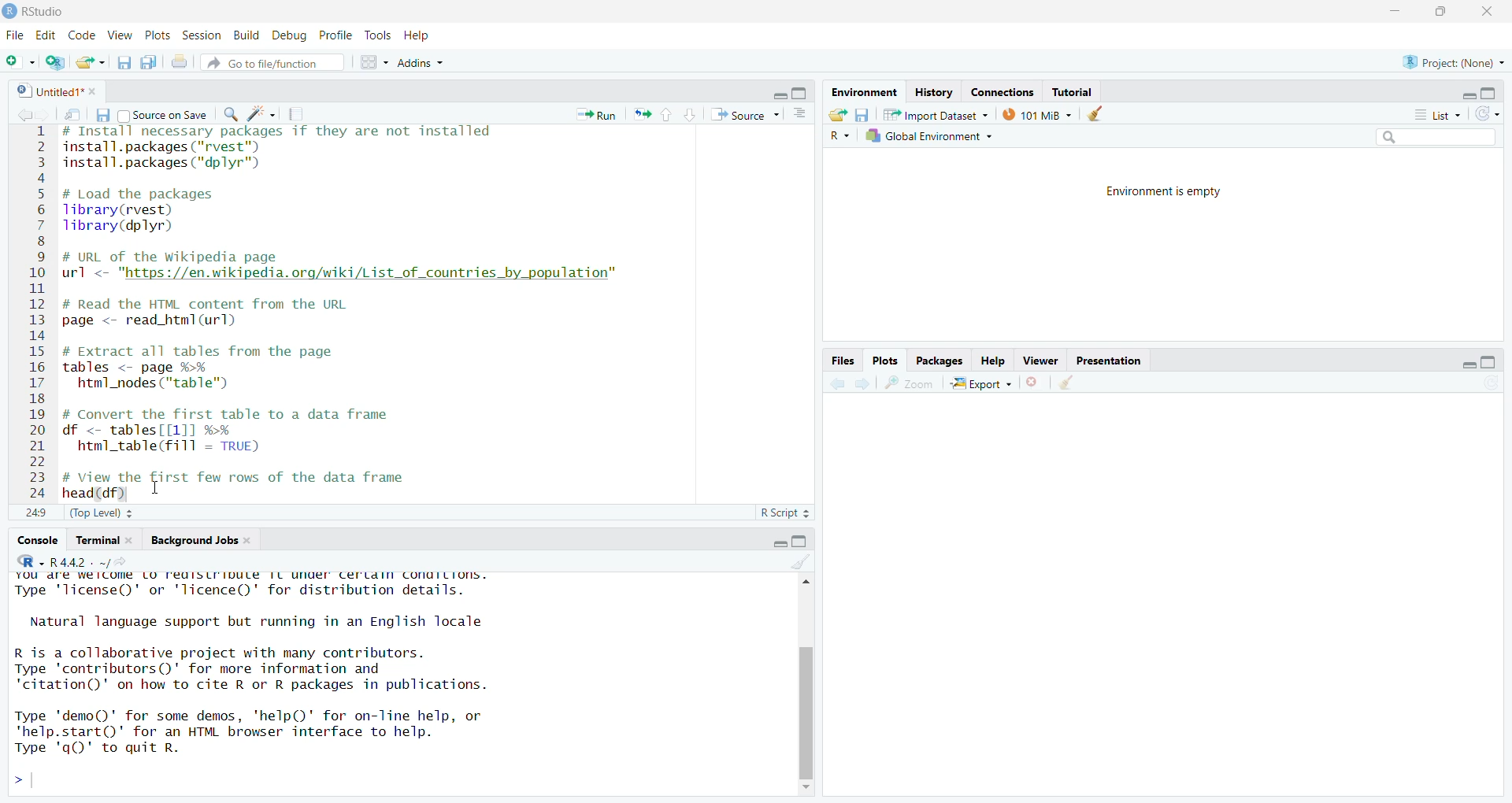  I want to click on open folder, so click(839, 114).